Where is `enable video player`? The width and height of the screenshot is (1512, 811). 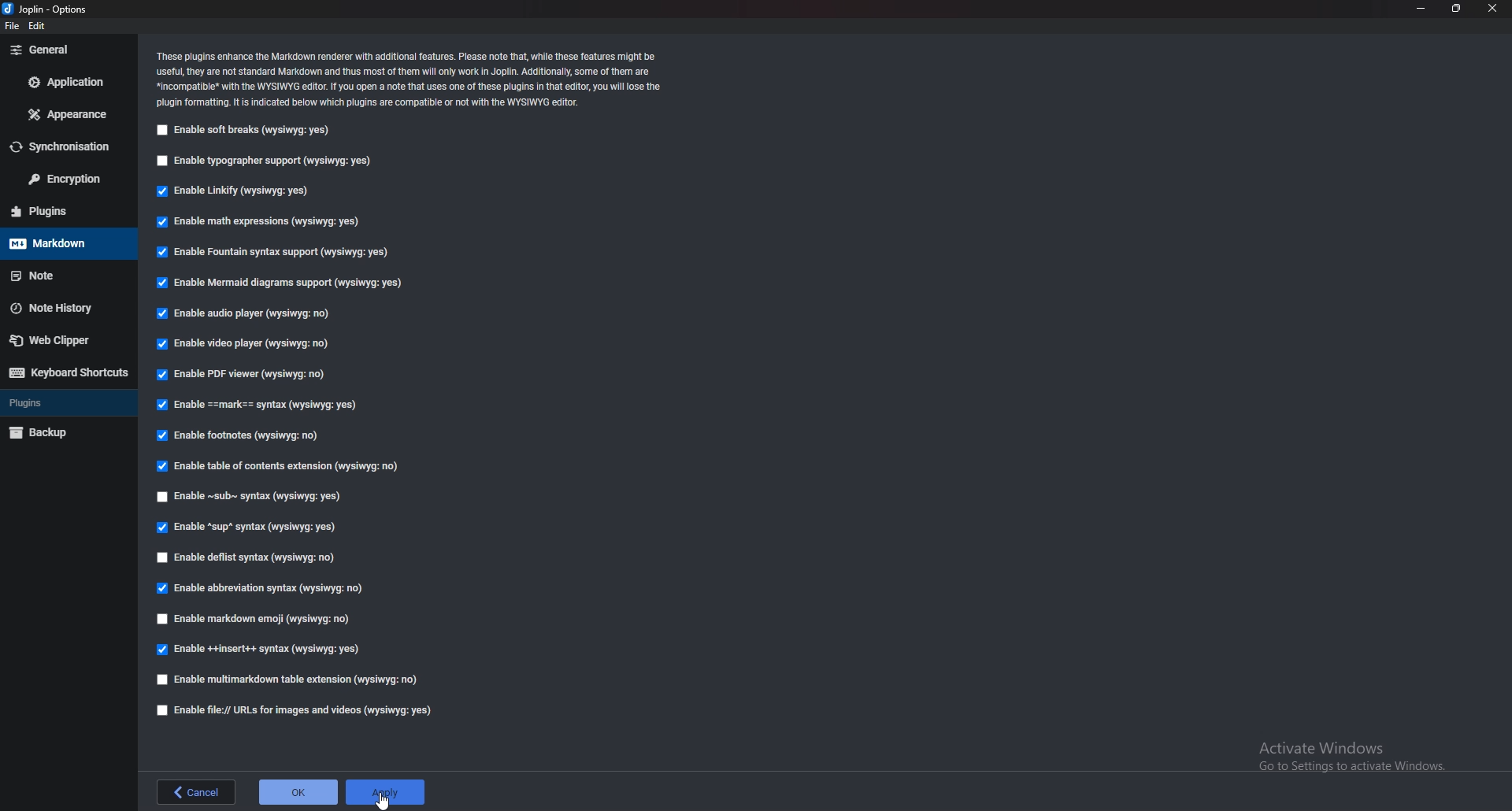
enable video player is located at coordinates (242, 343).